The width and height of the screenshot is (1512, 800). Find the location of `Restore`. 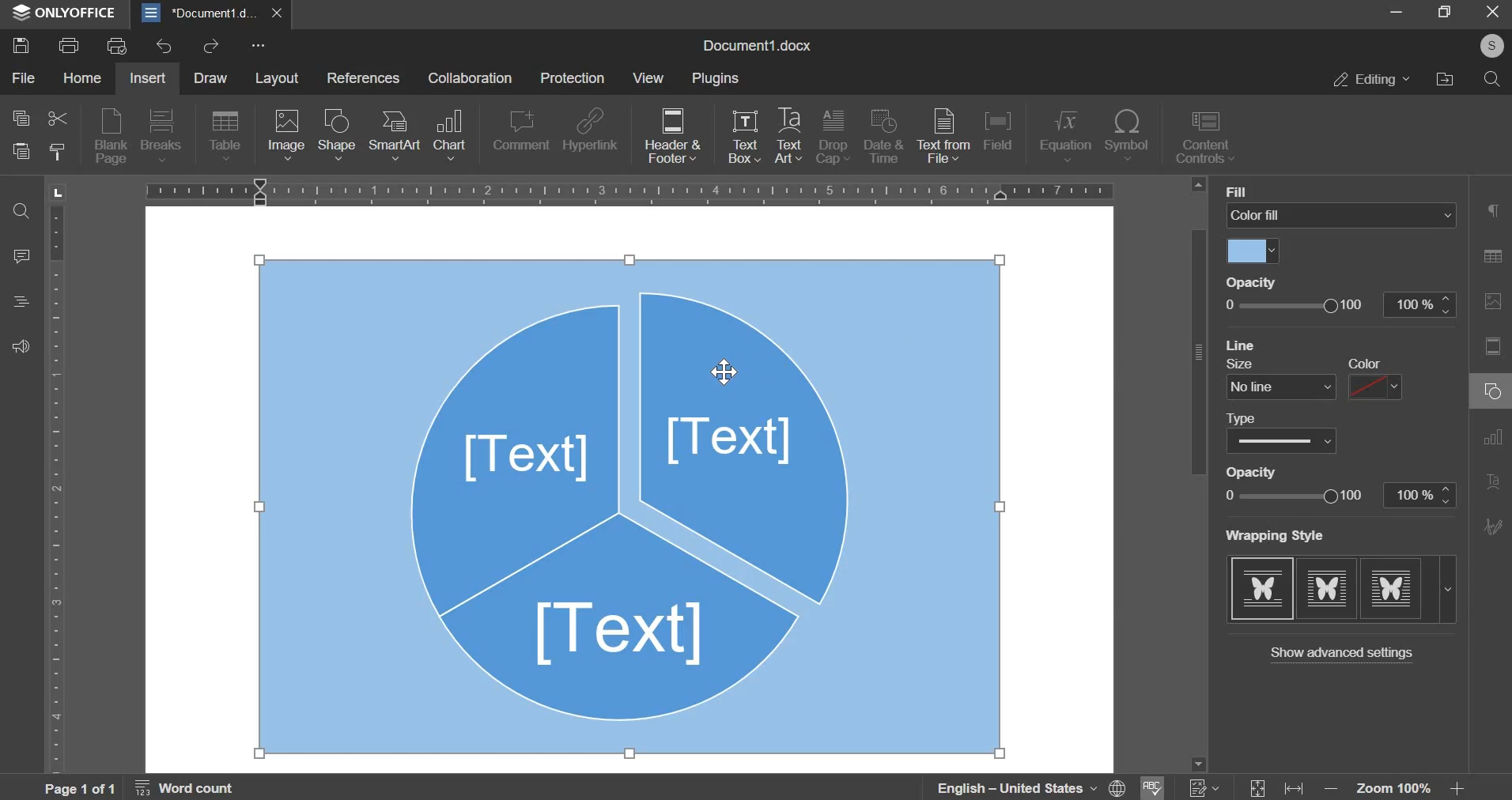

Restore is located at coordinates (1442, 13).